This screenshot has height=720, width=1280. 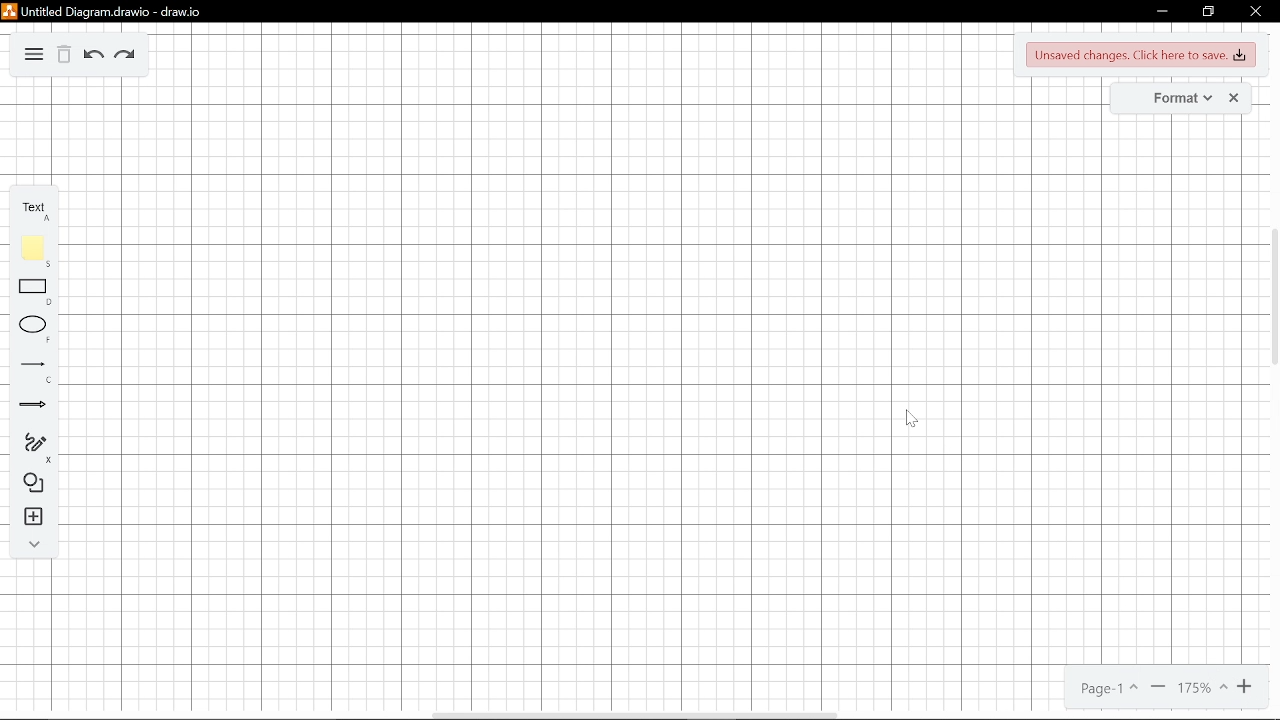 What do you see at coordinates (28, 371) in the screenshot?
I see `lines` at bounding box center [28, 371].